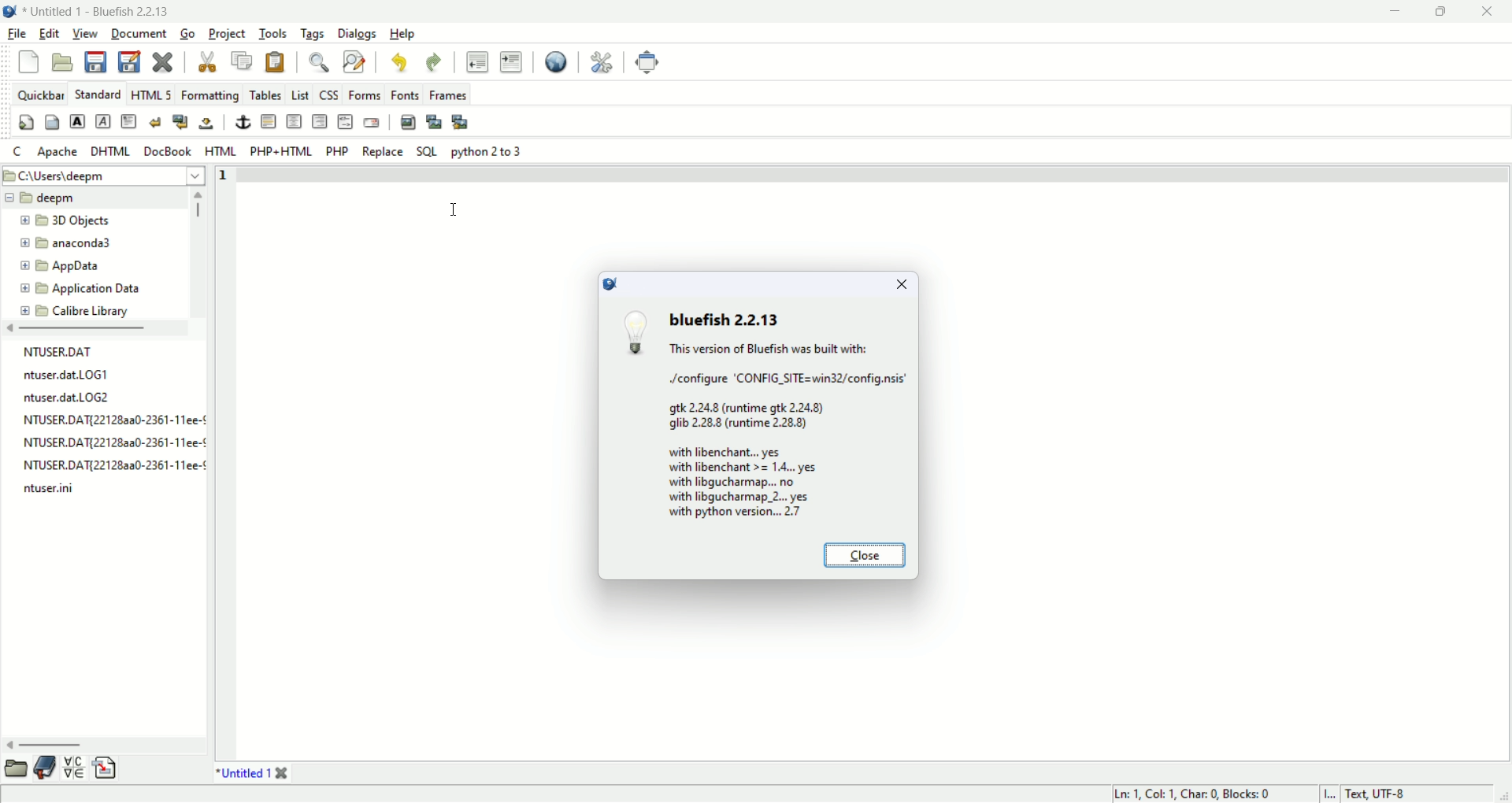 Image resolution: width=1512 pixels, height=803 pixels. Describe the element at coordinates (65, 244) in the screenshot. I see `folder name` at that location.